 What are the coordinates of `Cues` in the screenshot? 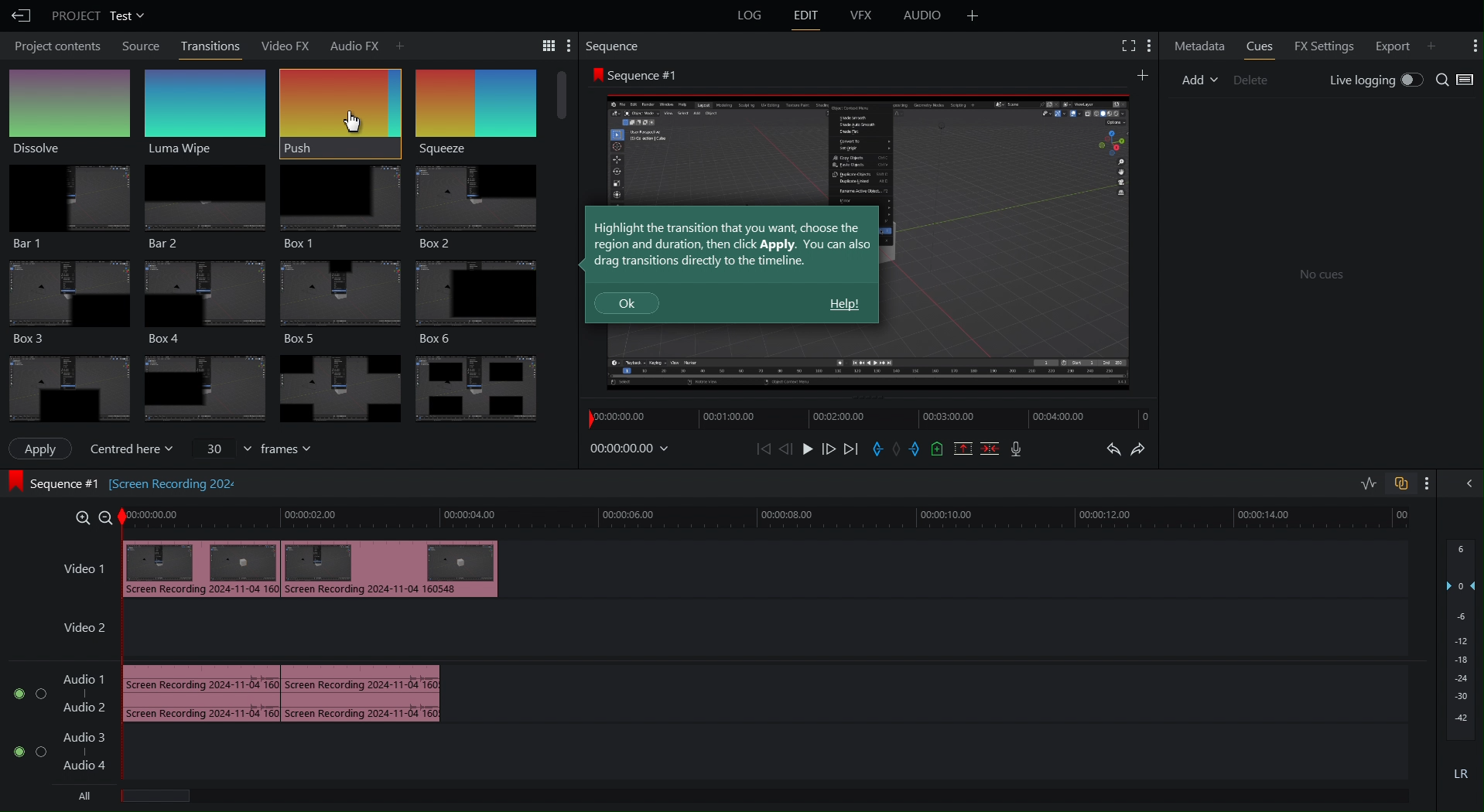 It's located at (1259, 45).